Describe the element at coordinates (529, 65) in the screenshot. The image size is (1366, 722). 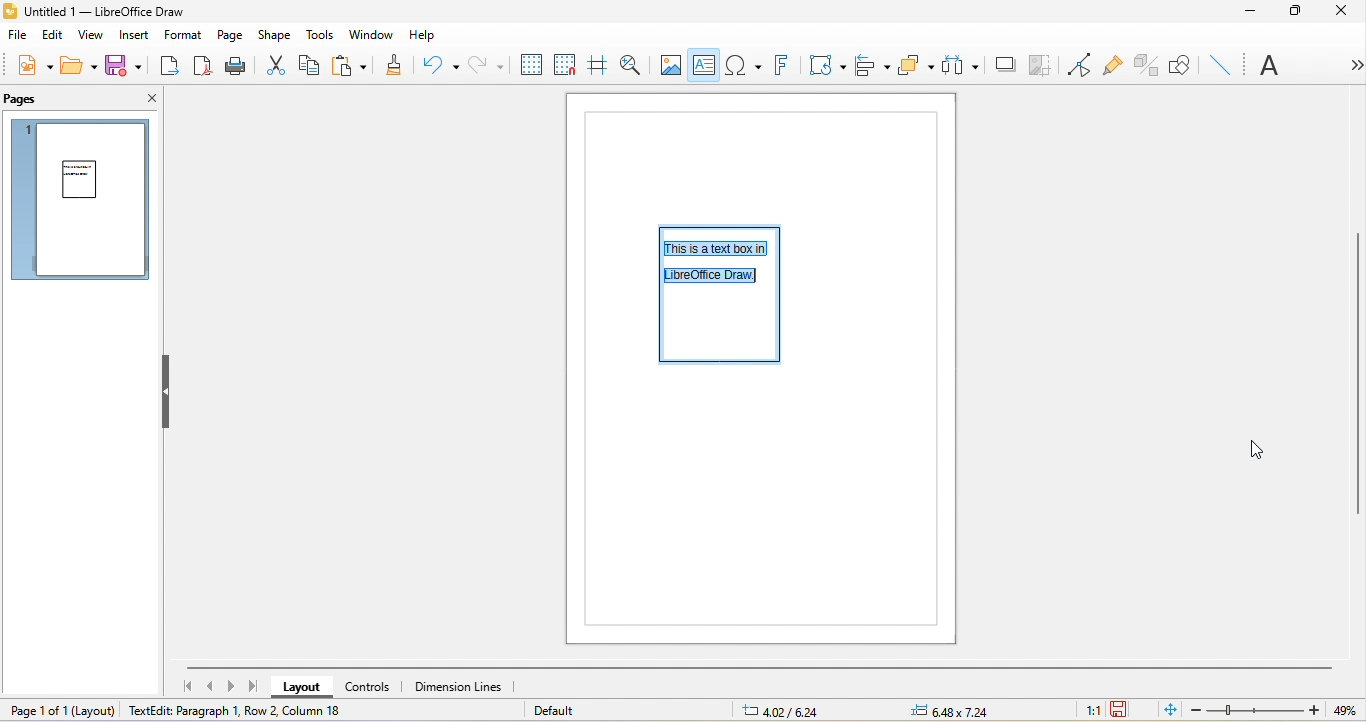
I see `display to grids` at that location.